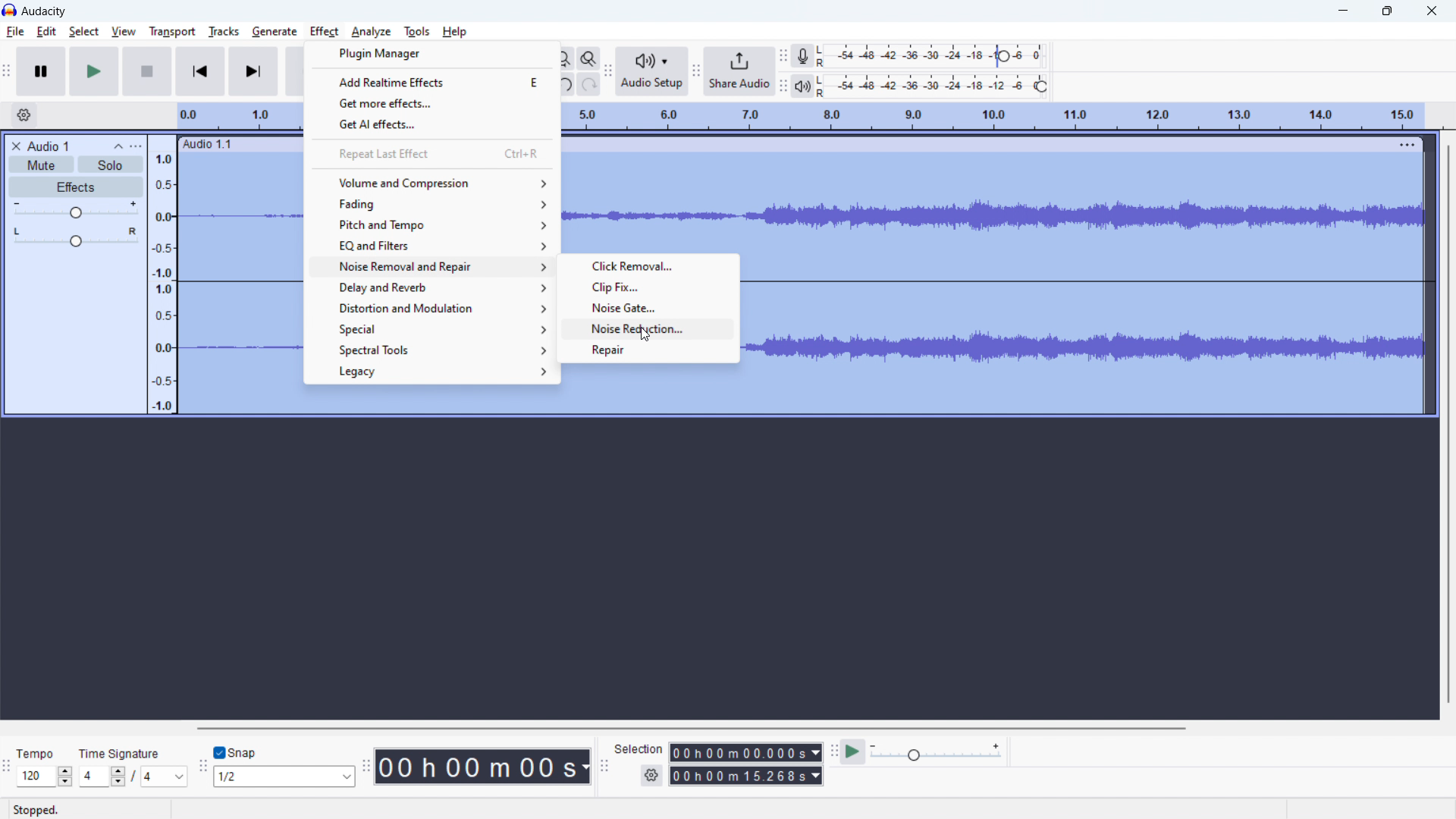  What do you see at coordinates (432, 81) in the screenshot?
I see `add realtime effects` at bounding box center [432, 81].